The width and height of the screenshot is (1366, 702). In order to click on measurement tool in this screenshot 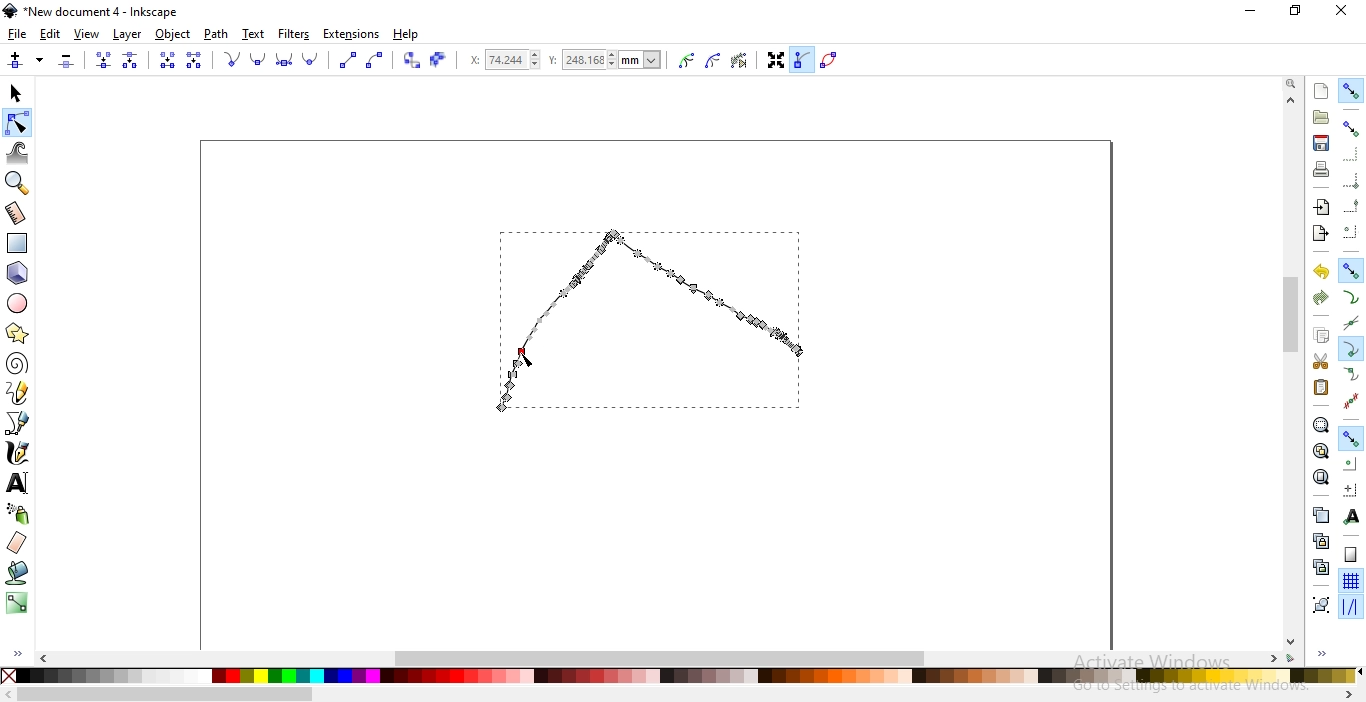, I will do `click(16, 215)`.